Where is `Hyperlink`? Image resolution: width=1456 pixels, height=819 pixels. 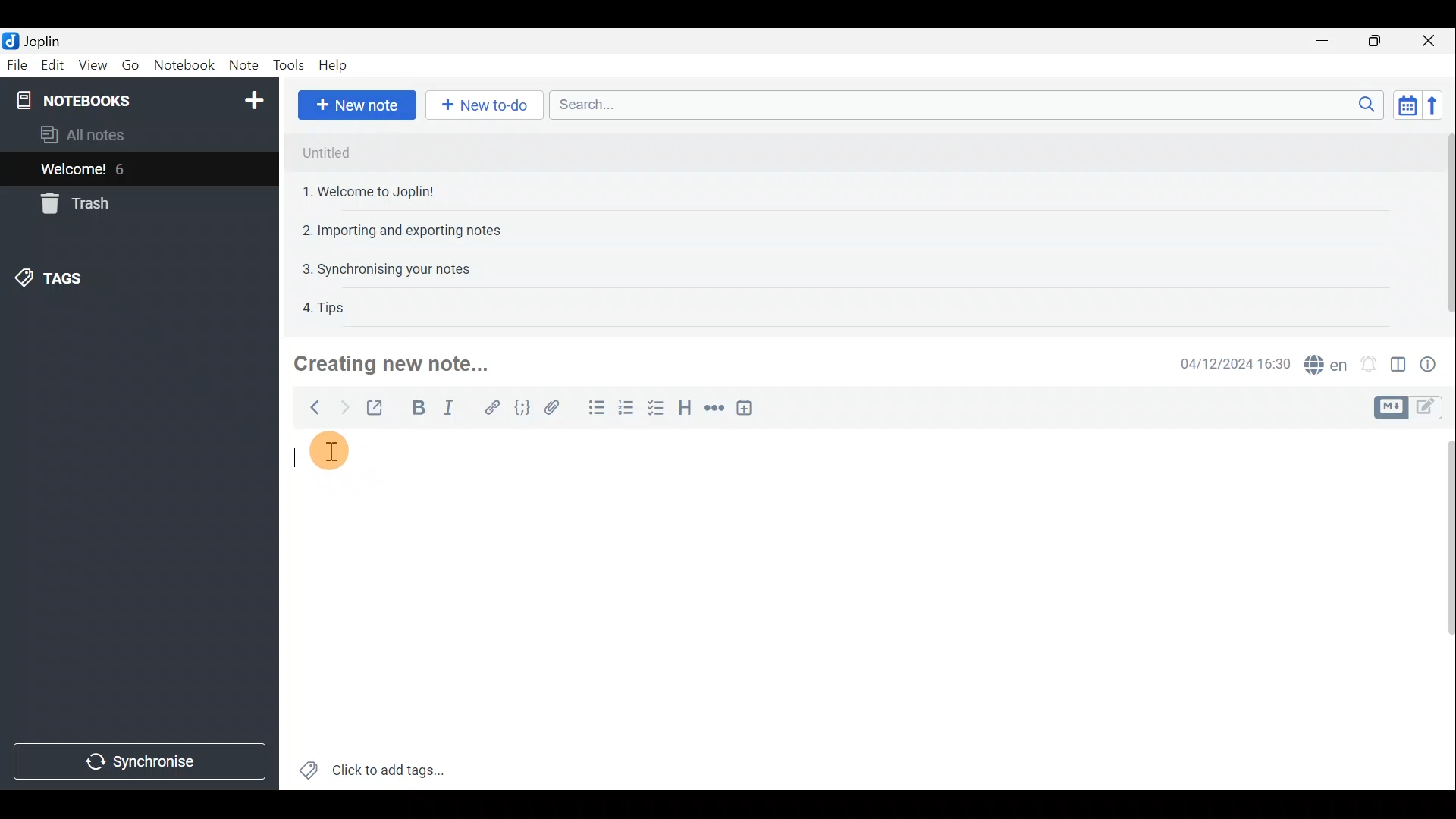 Hyperlink is located at coordinates (493, 410).